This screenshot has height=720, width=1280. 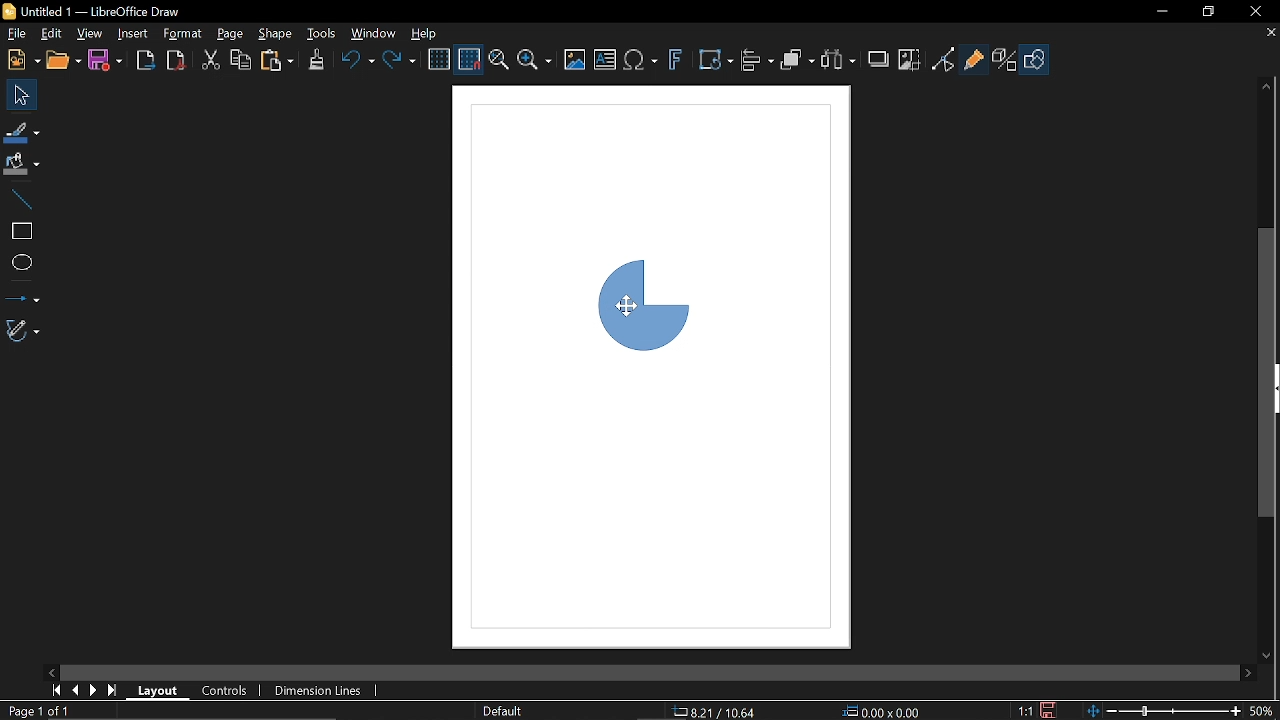 I want to click on Export, so click(x=142, y=61).